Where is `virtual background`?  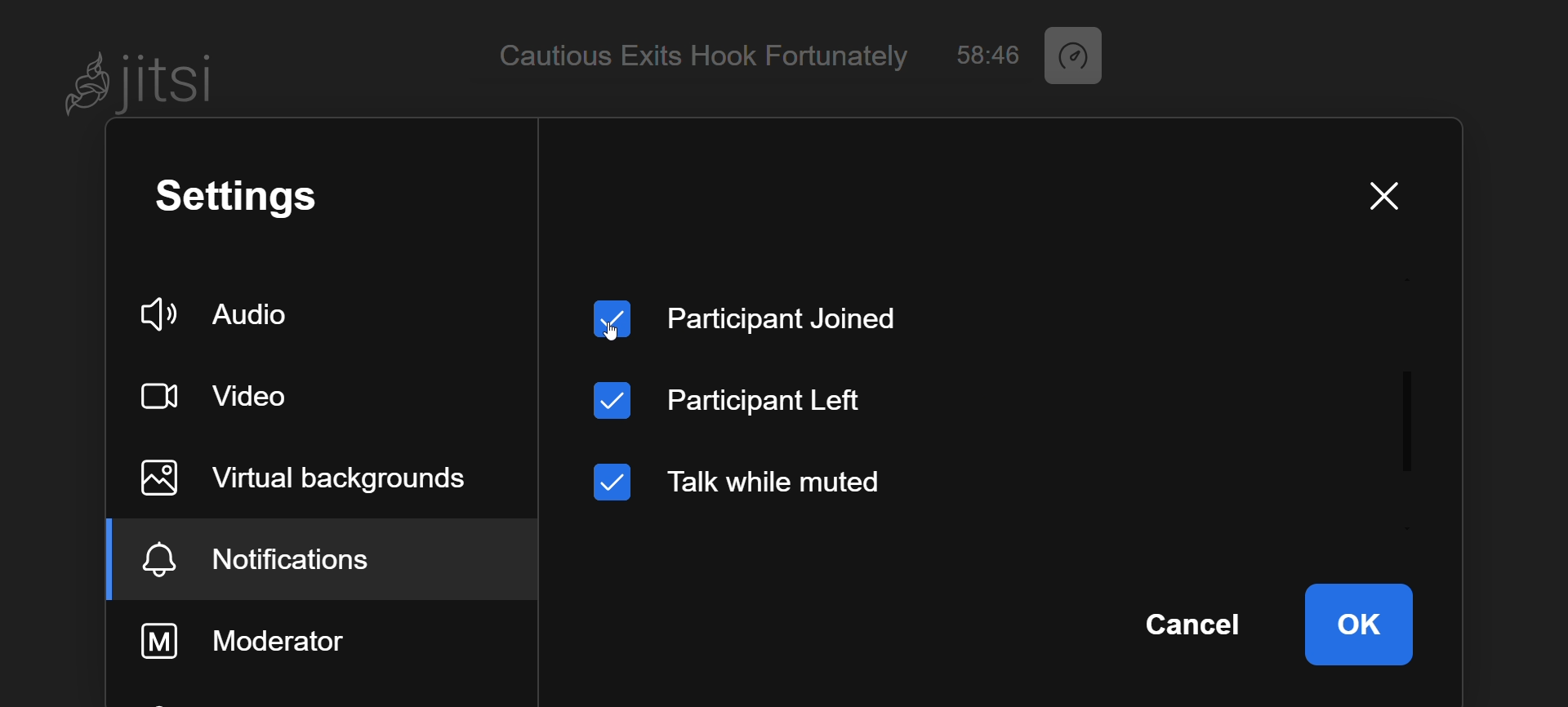
virtual background is located at coordinates (308, 475).